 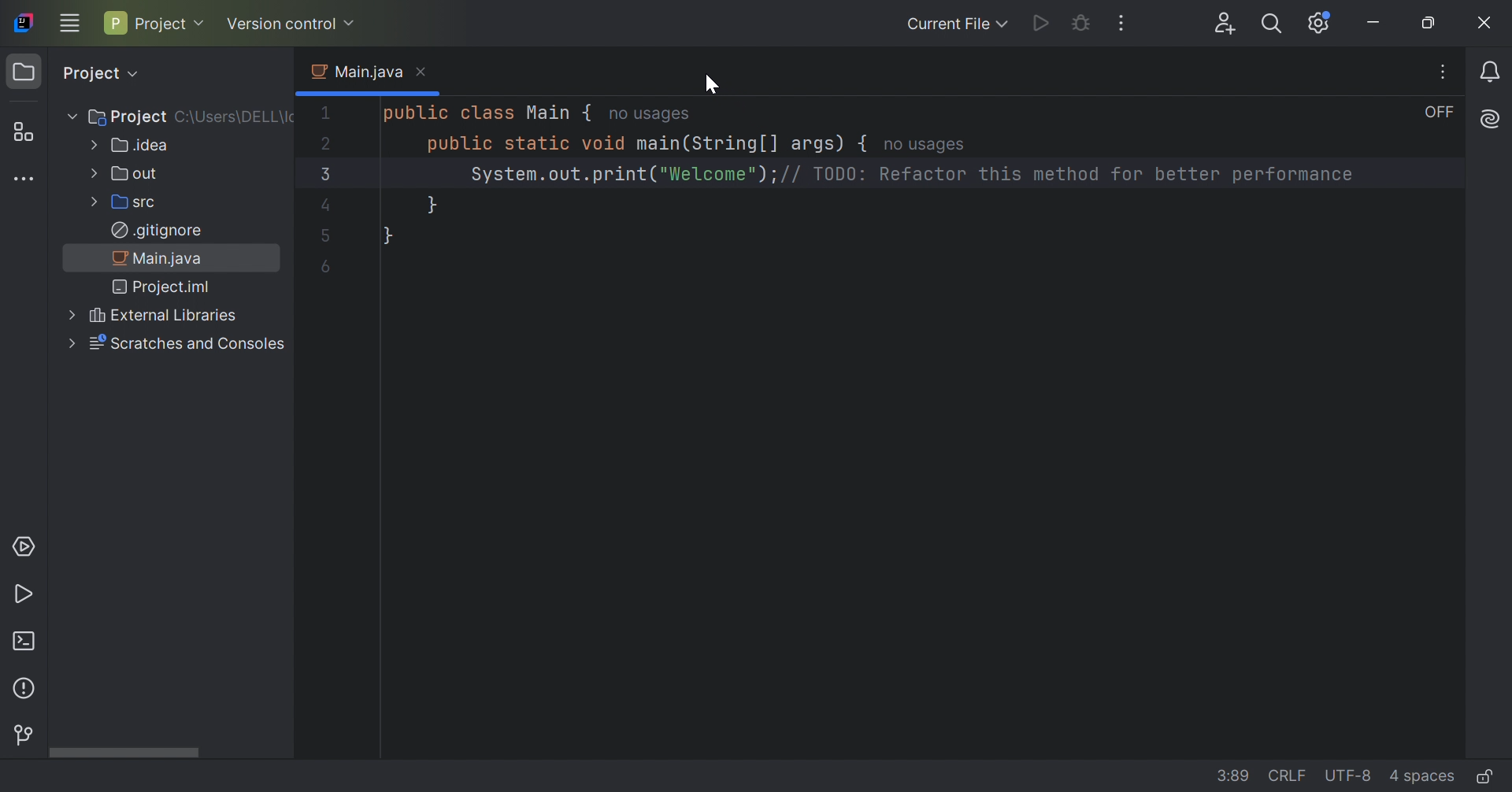 I want to click on Run, so click(x=24, y=596).